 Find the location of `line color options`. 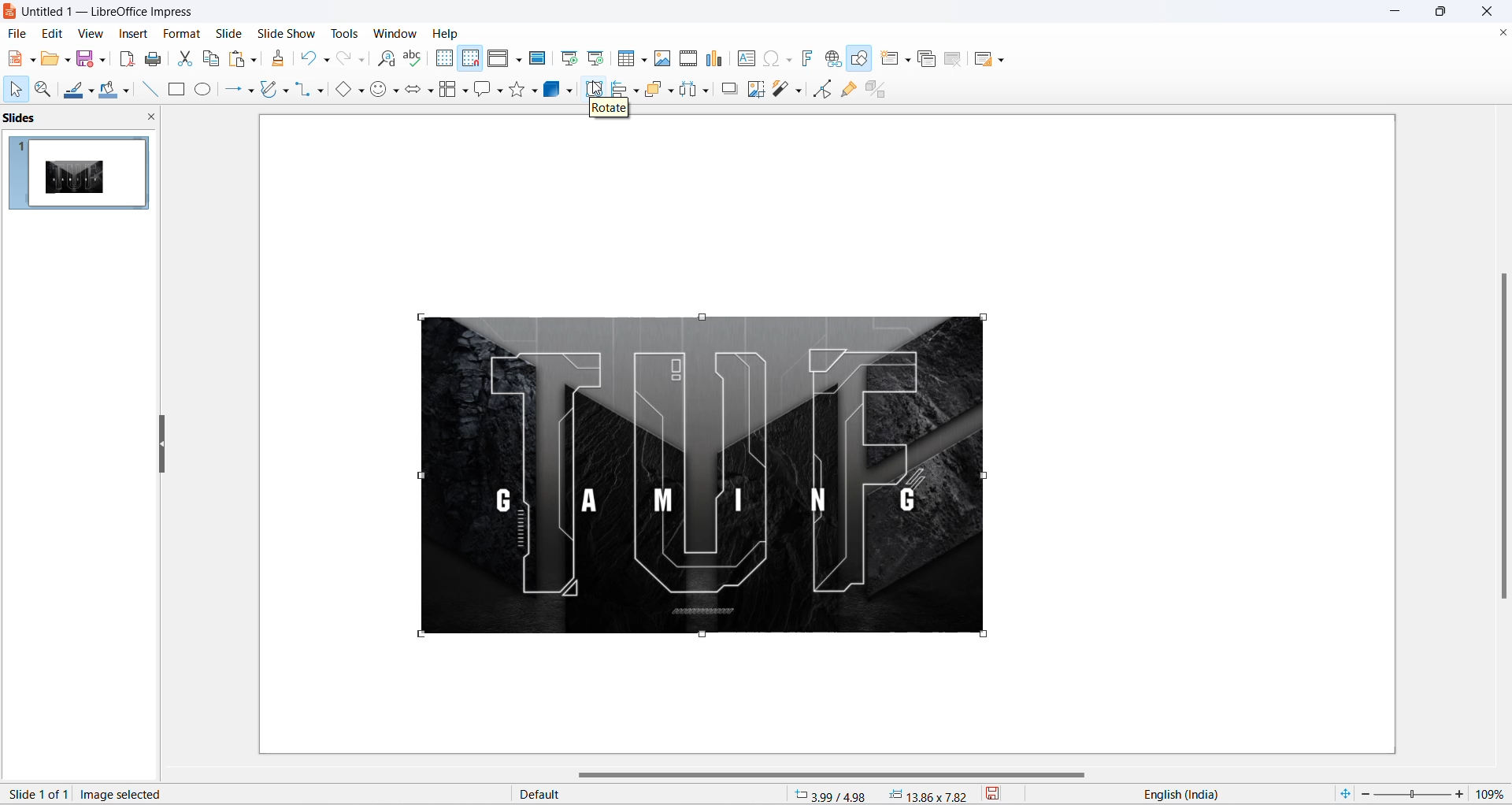

line color options is located at coordinates (91, 95).